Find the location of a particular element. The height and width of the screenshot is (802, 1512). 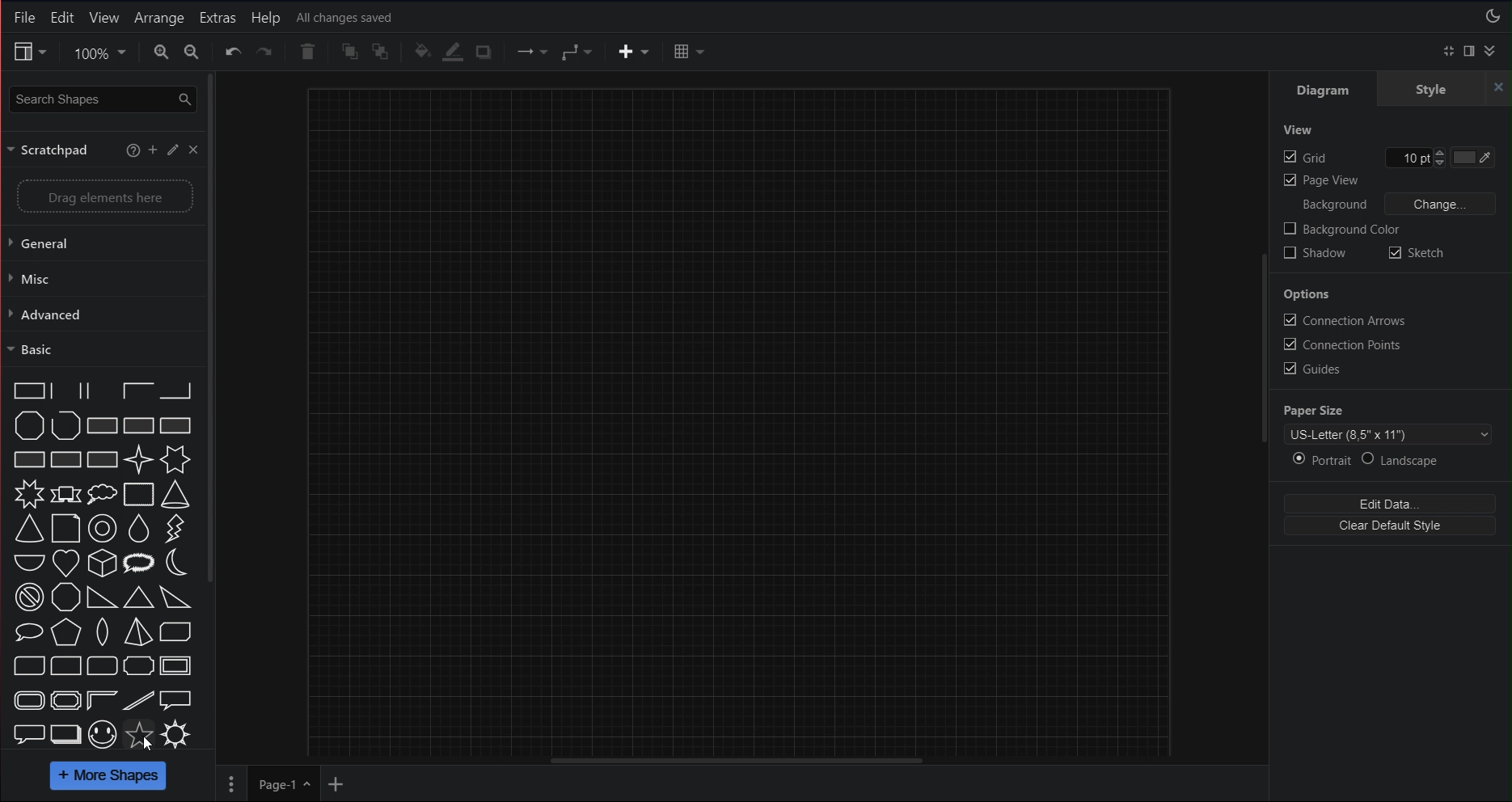

Page-1 is located at coordinates (285, 785).